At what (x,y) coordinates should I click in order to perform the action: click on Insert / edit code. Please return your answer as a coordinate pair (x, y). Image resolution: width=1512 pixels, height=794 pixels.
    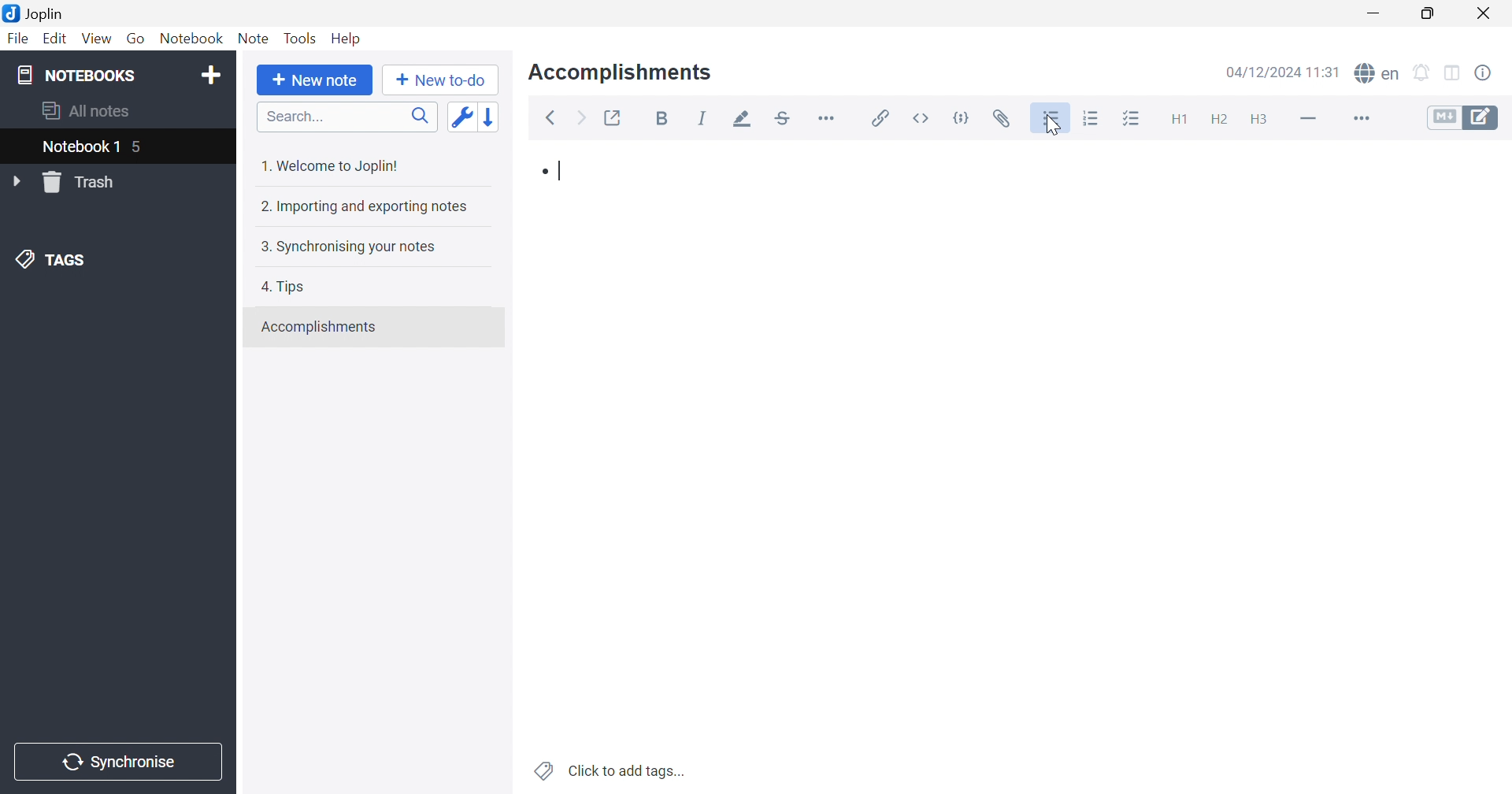
    Looking at the image, I should click on (877, 118).